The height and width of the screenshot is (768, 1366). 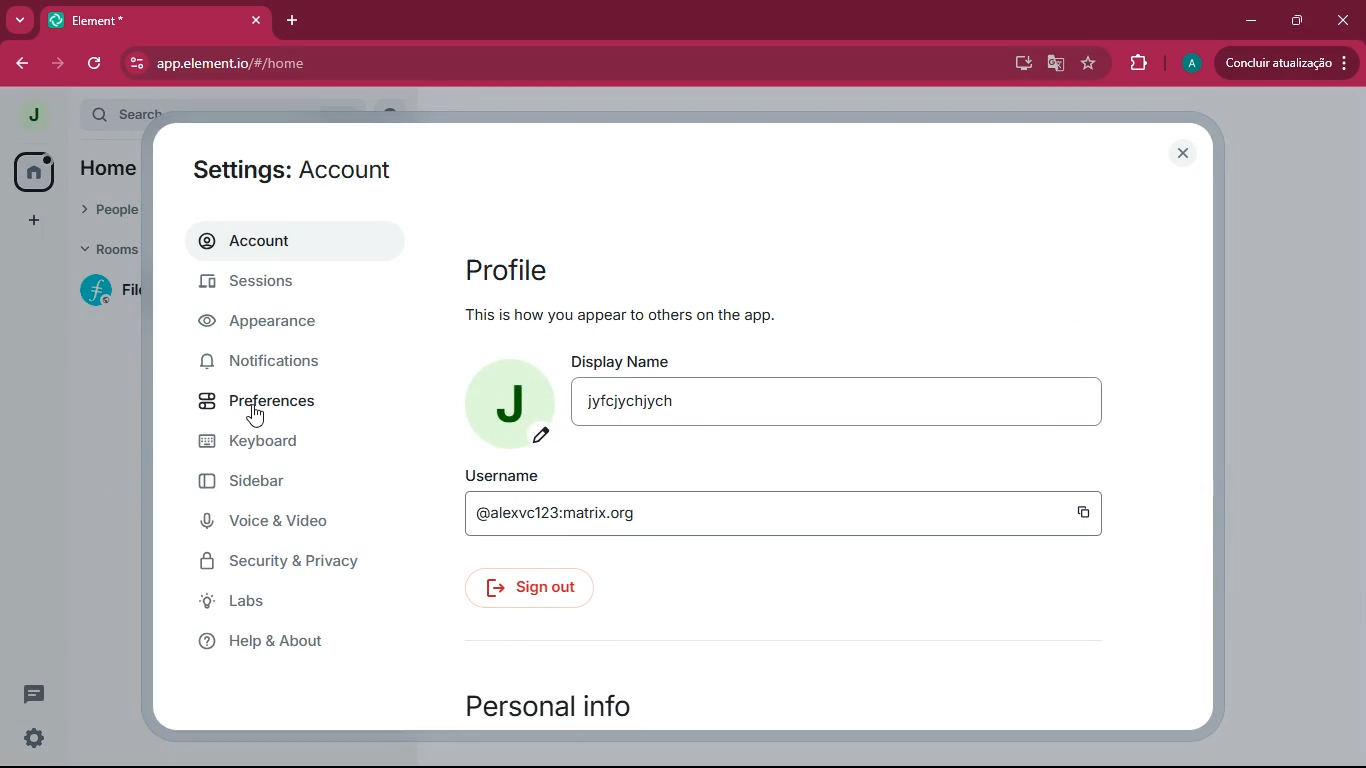 What do you see at coordinates (259, 363) in the screenshot?
I see `notifications` at bounding box center [259, 363].